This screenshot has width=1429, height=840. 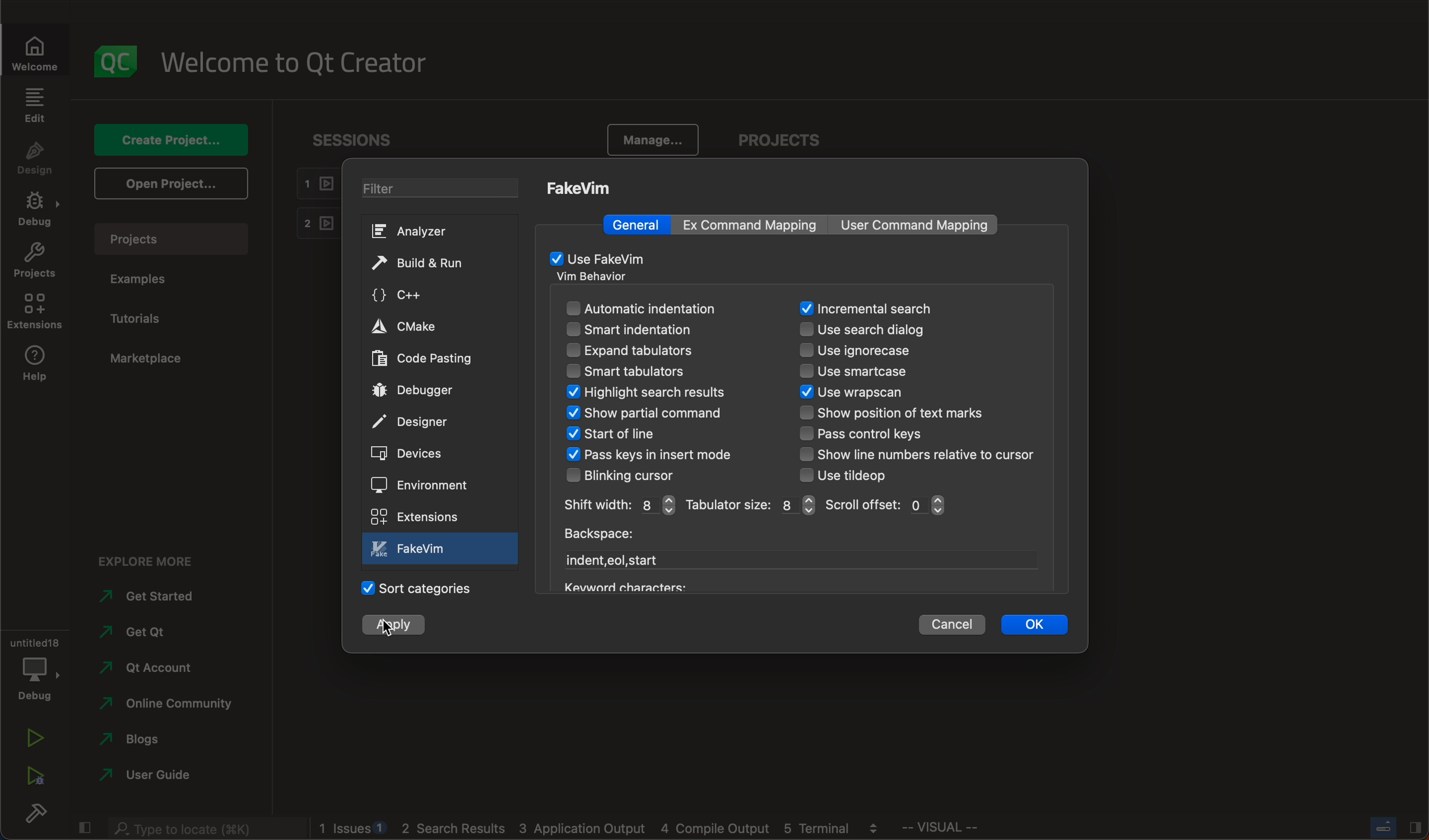 What do you see at coordinates (627, 371) in the screenshot?
I see `smart tabulators` at bounding box center [627, 371].